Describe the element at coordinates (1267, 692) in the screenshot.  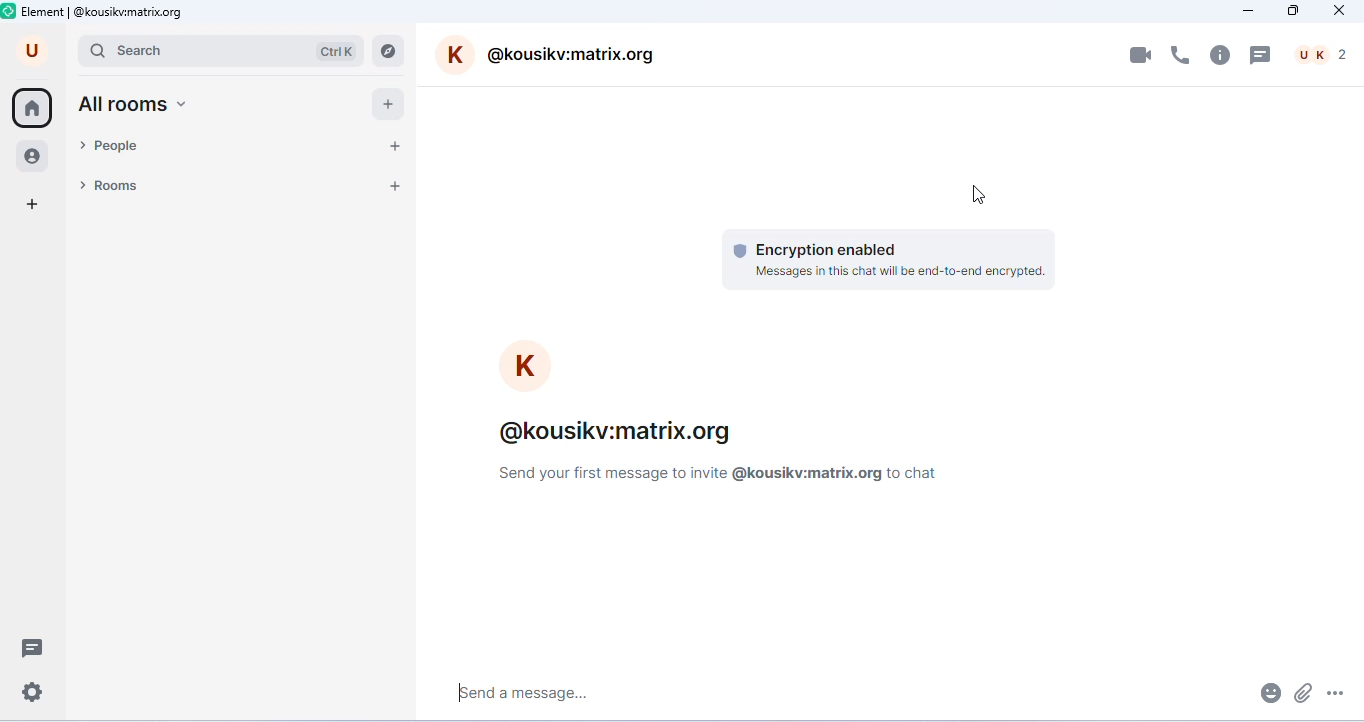
I see `emoji` at that location.